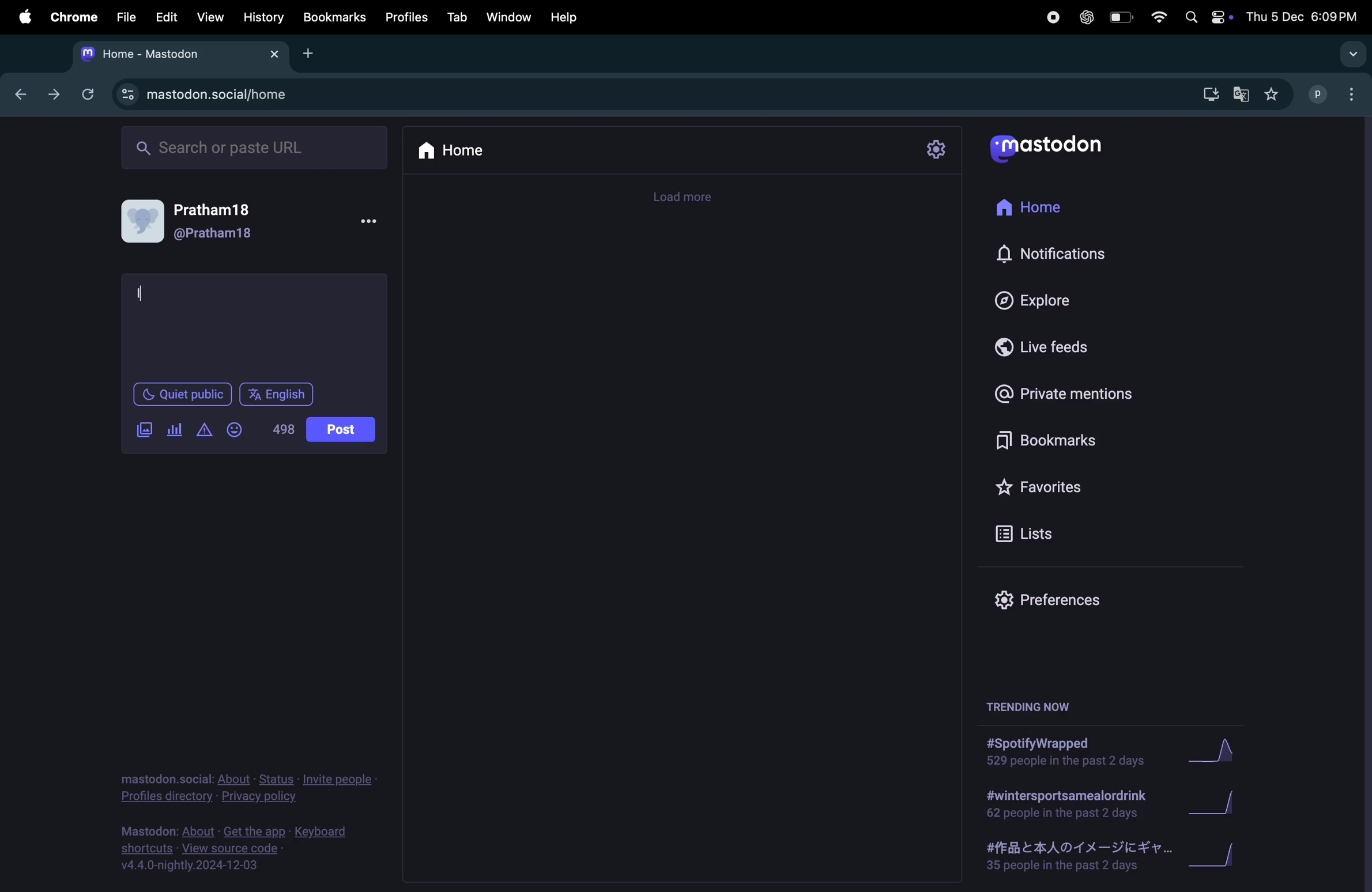  What do you see at coordinates (1336, 93) in the screenshot?
I see `user profile` at bounding box center [1336, 93].